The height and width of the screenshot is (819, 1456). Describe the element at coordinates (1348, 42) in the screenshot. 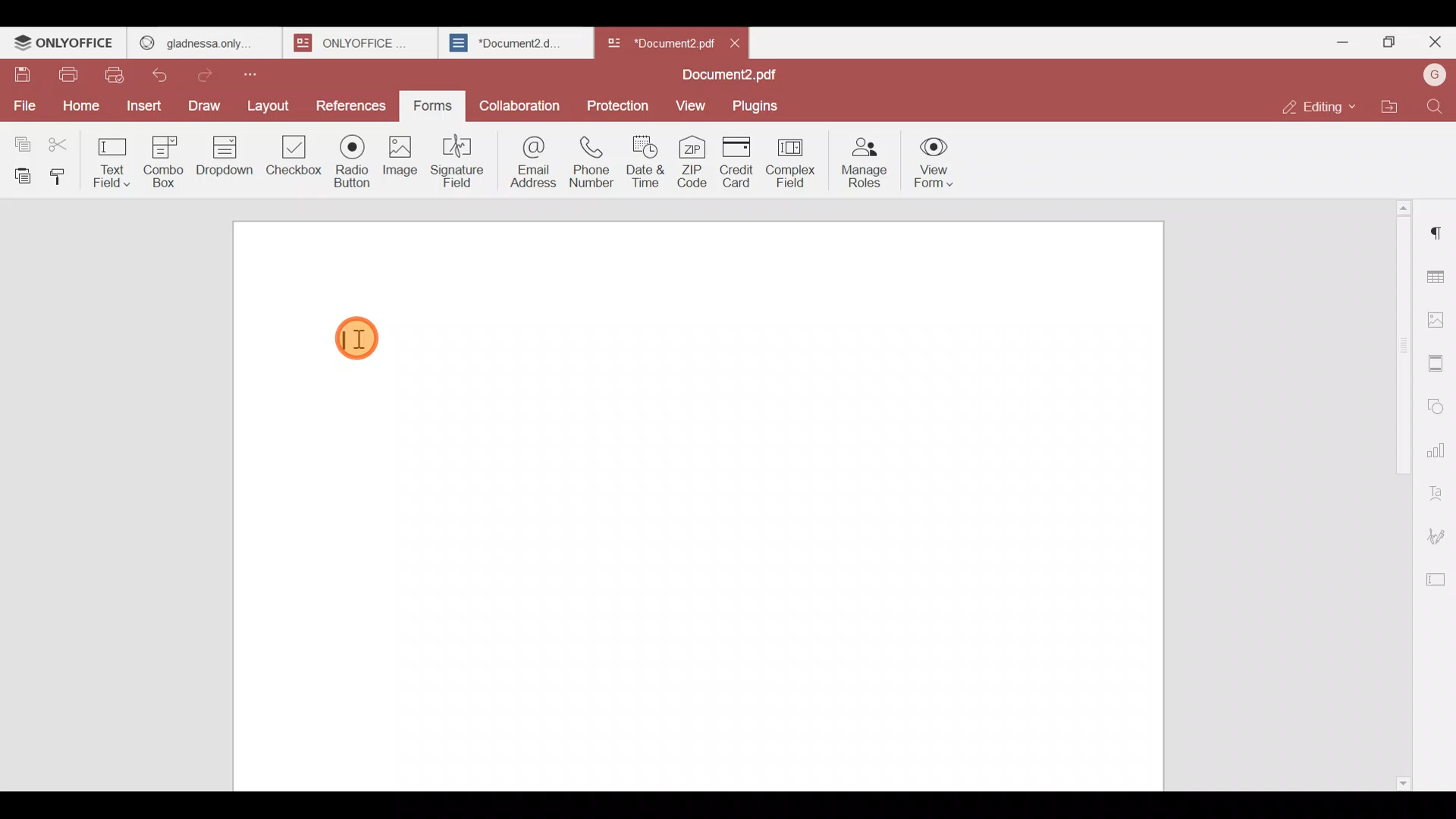

I see `Minimize` at that location.